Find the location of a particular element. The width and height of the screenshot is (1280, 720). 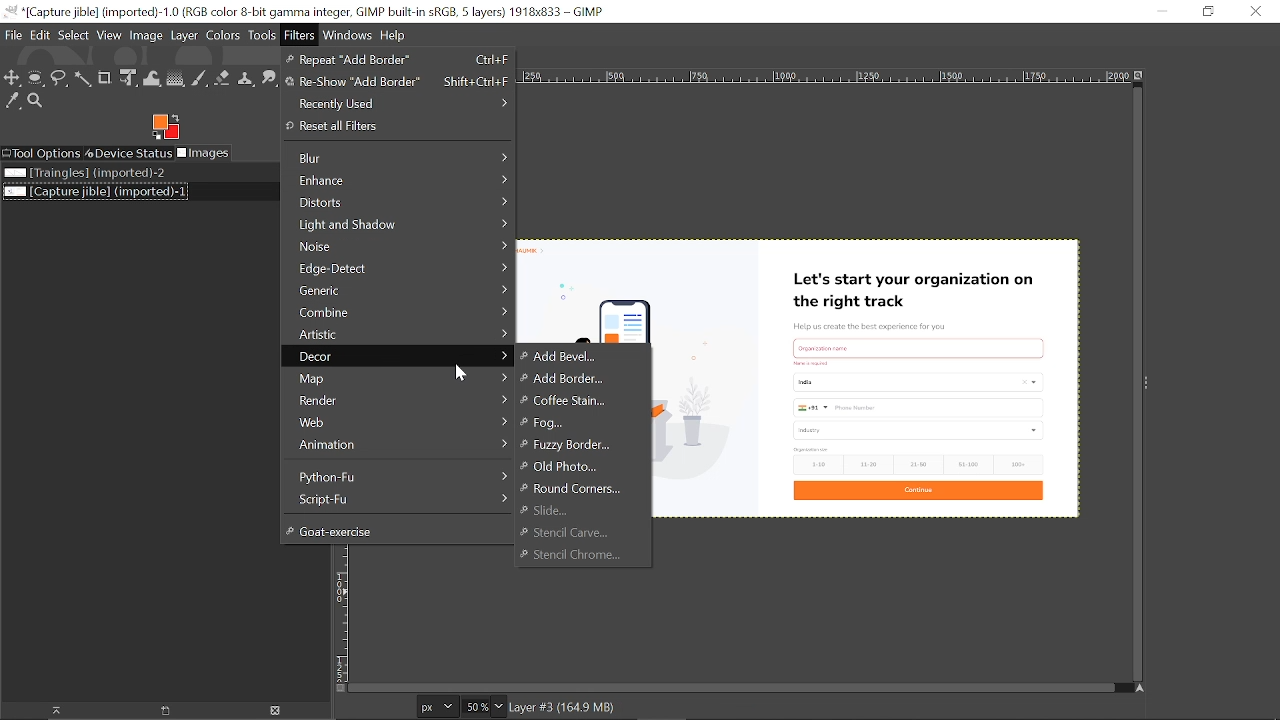

Edit is located at coordinates (40, 35).